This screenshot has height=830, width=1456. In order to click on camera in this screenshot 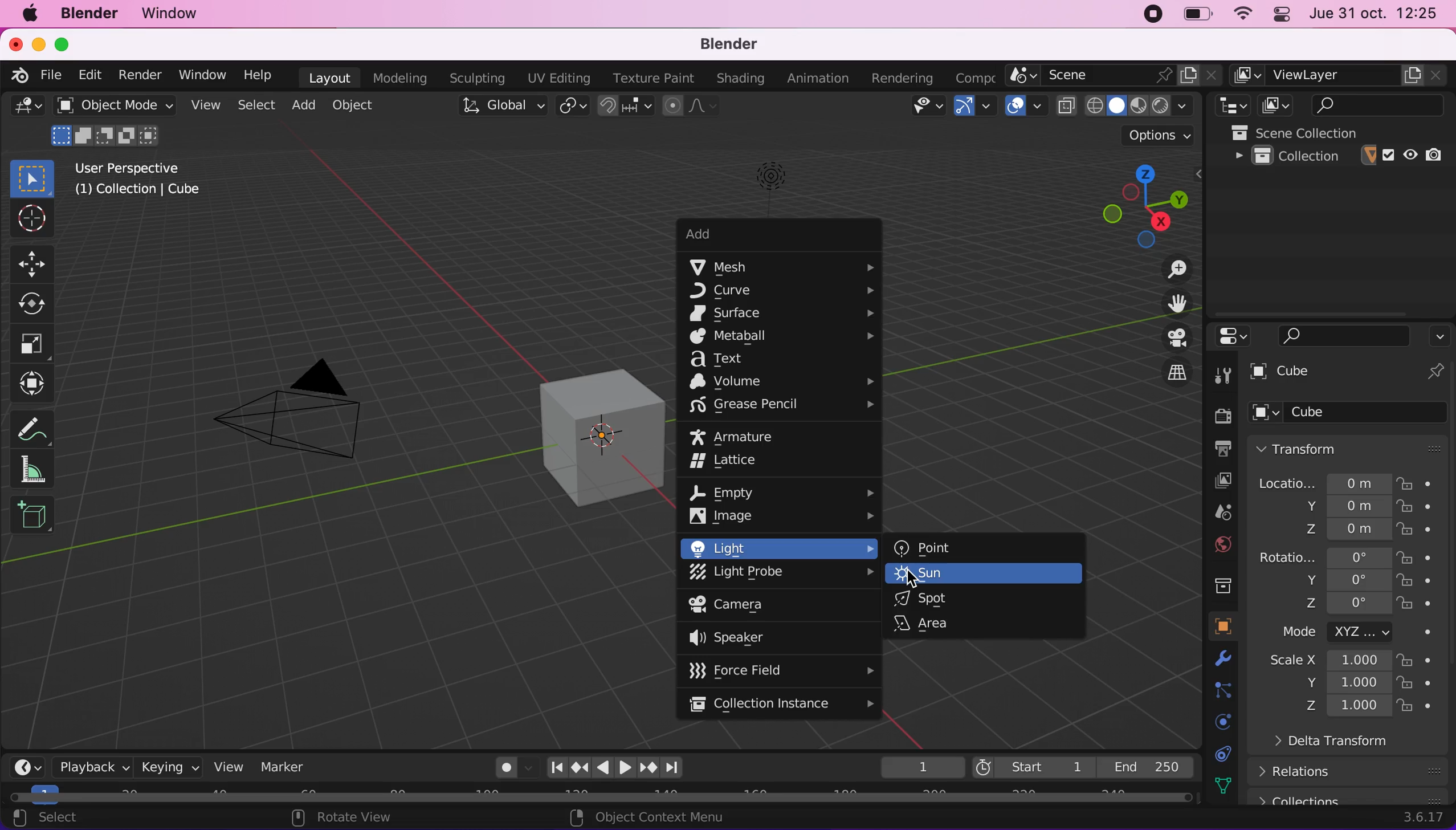, I will do `click(304, 415)`.